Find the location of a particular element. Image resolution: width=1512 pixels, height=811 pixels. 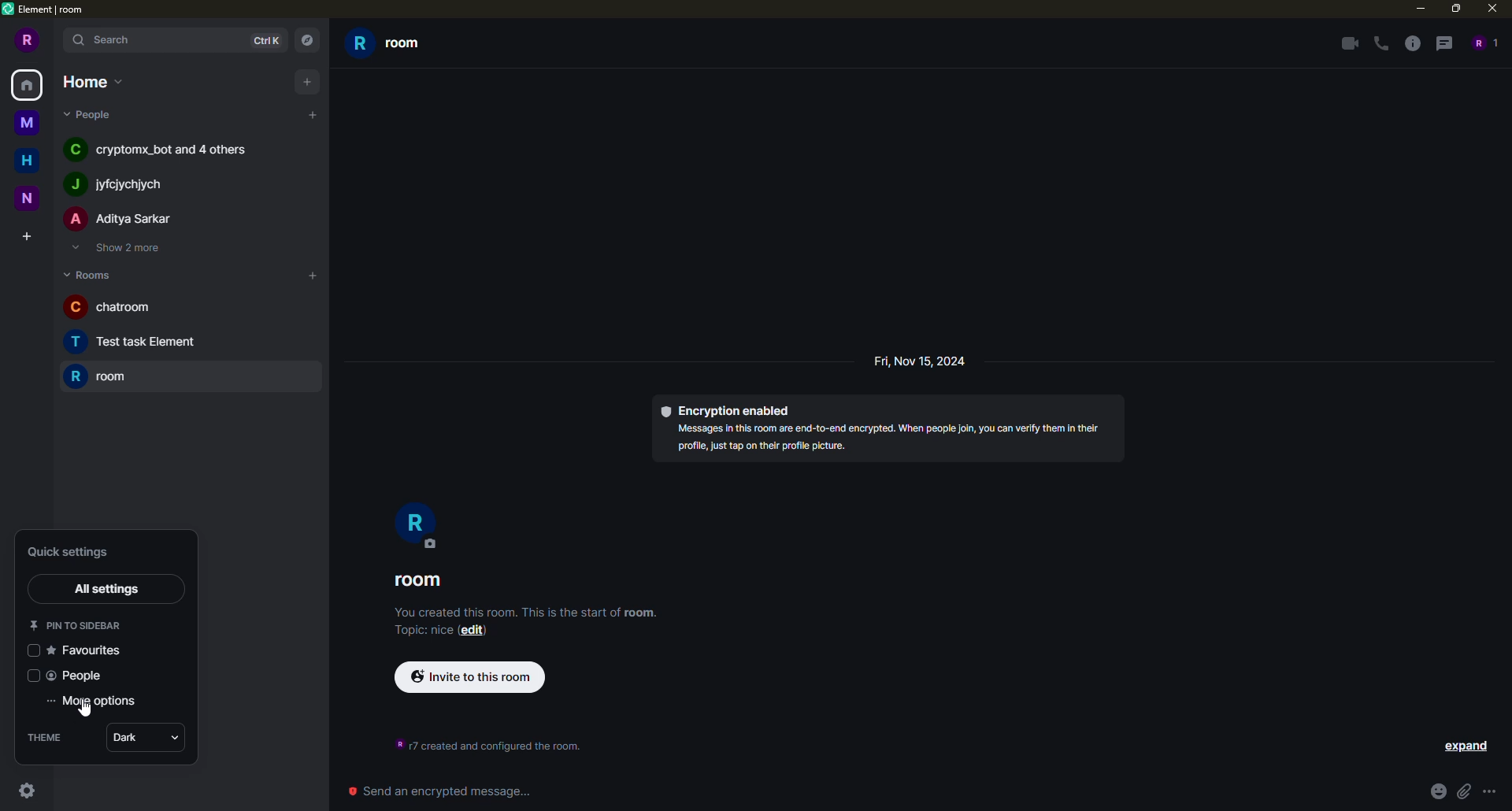

r room is located at coordinates (391, 47).